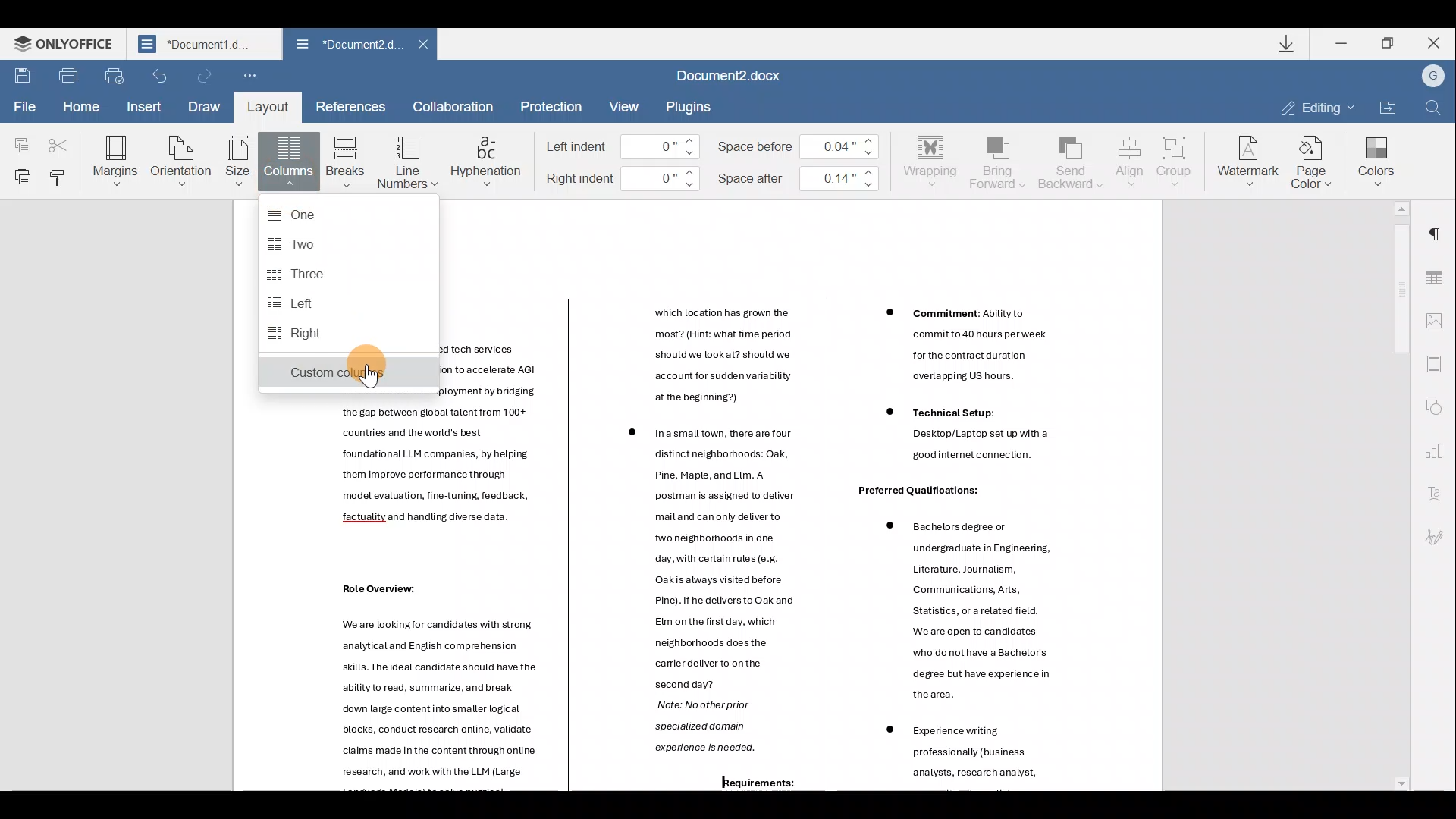 The image size is (1456, 819). I want to click on Image settings, so click(1439, 319).